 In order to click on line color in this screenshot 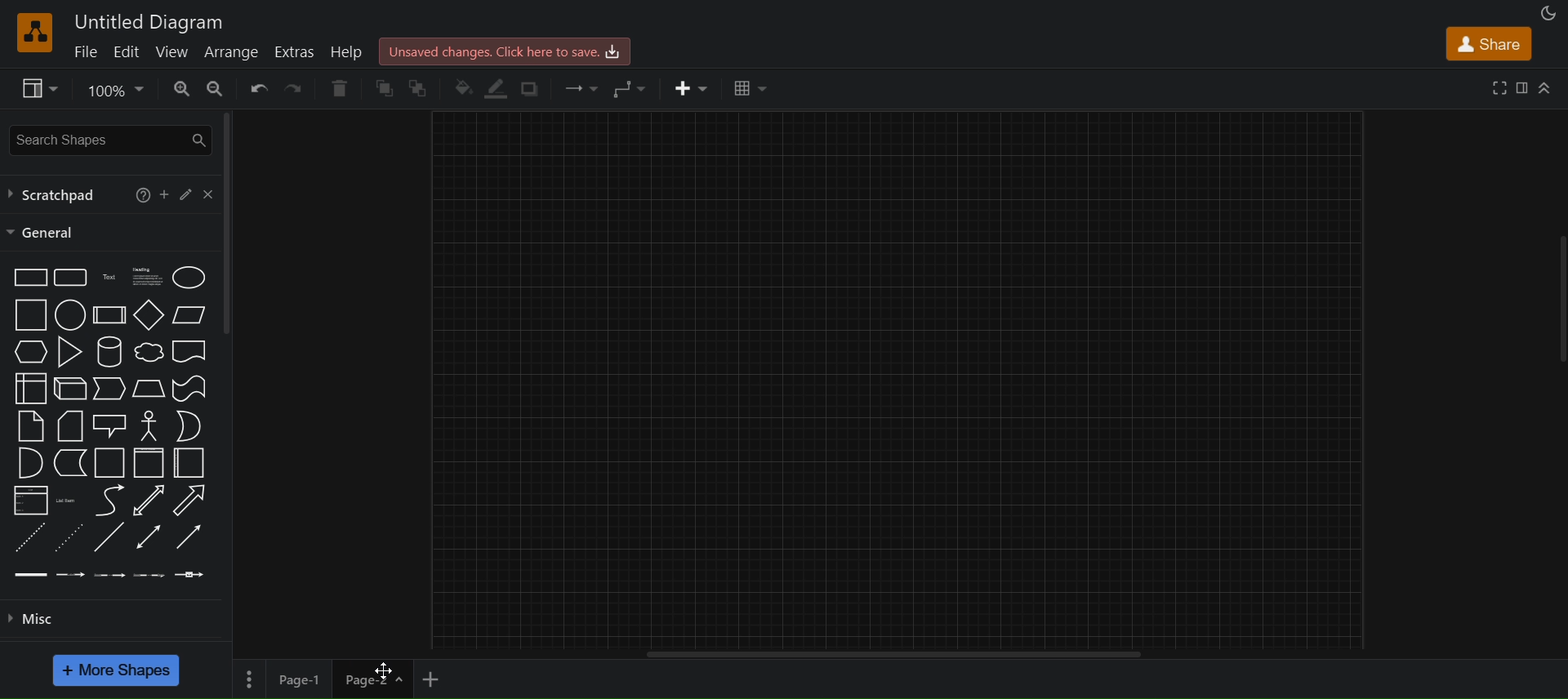, I will do `click(497, 87)`.